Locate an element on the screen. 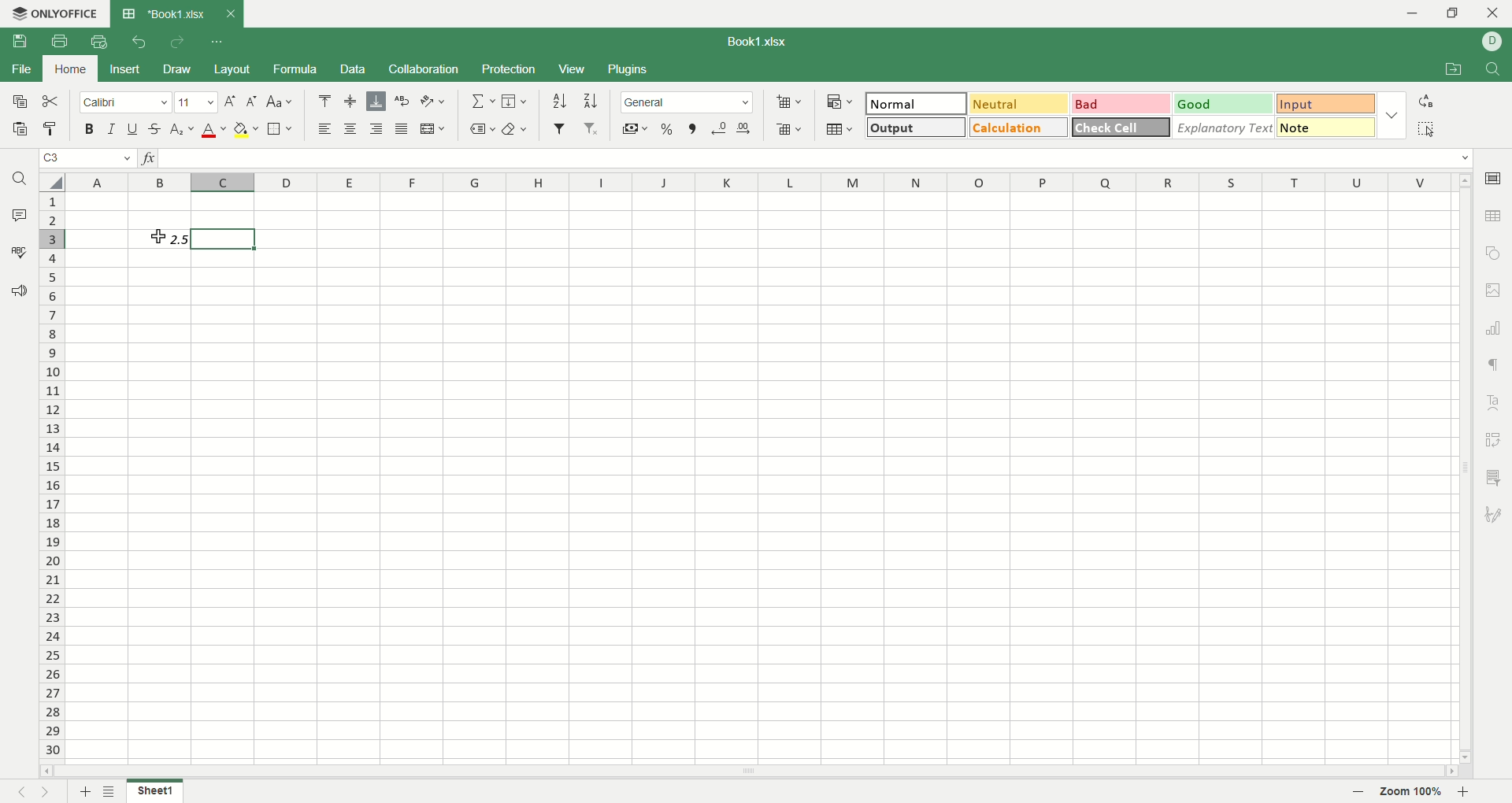 Image resolution: width=1512 pixels, height=803 pixels. slicer is located at coordinates (1496, 477).